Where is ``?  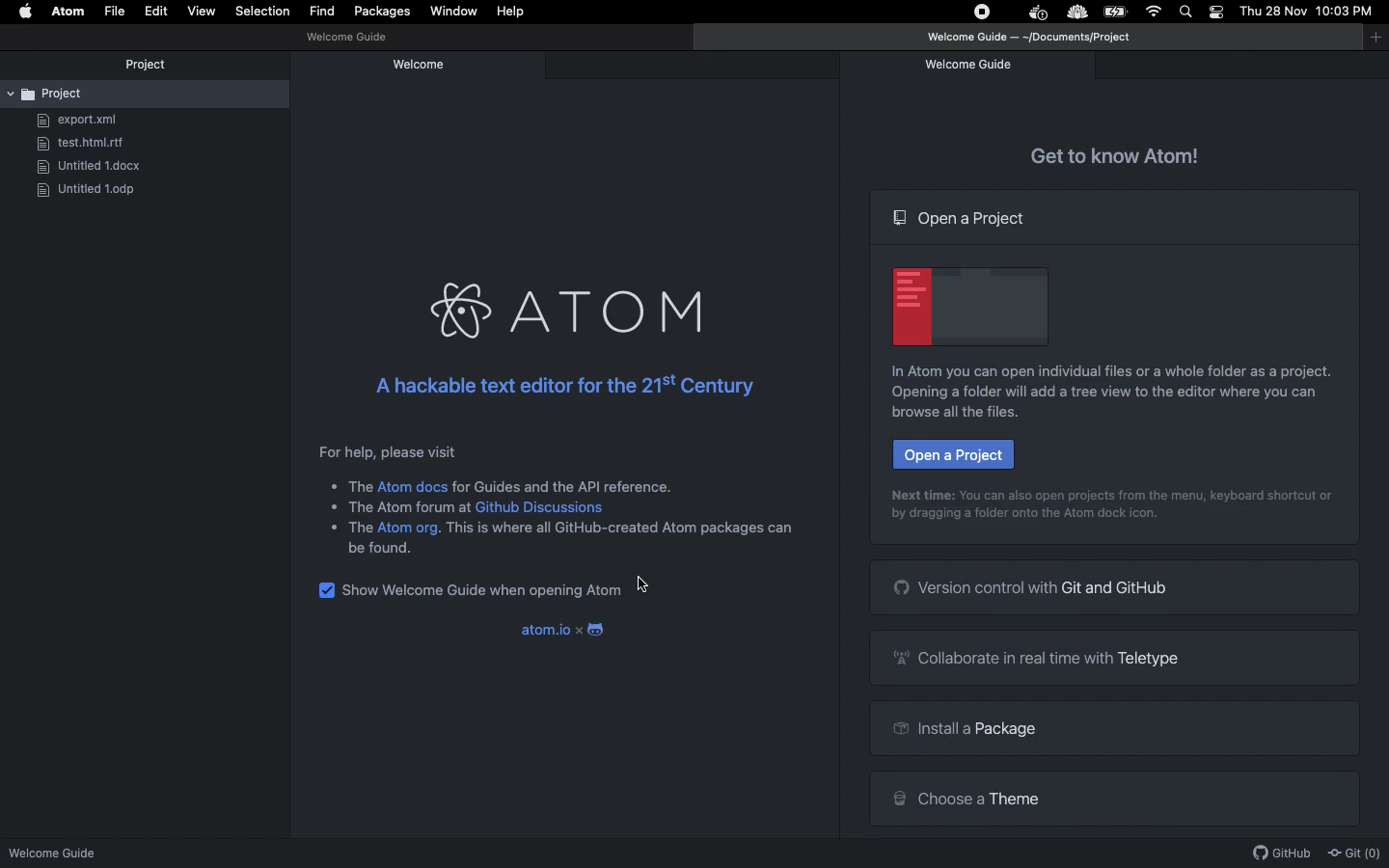  is located at coordinates (1076, 14).